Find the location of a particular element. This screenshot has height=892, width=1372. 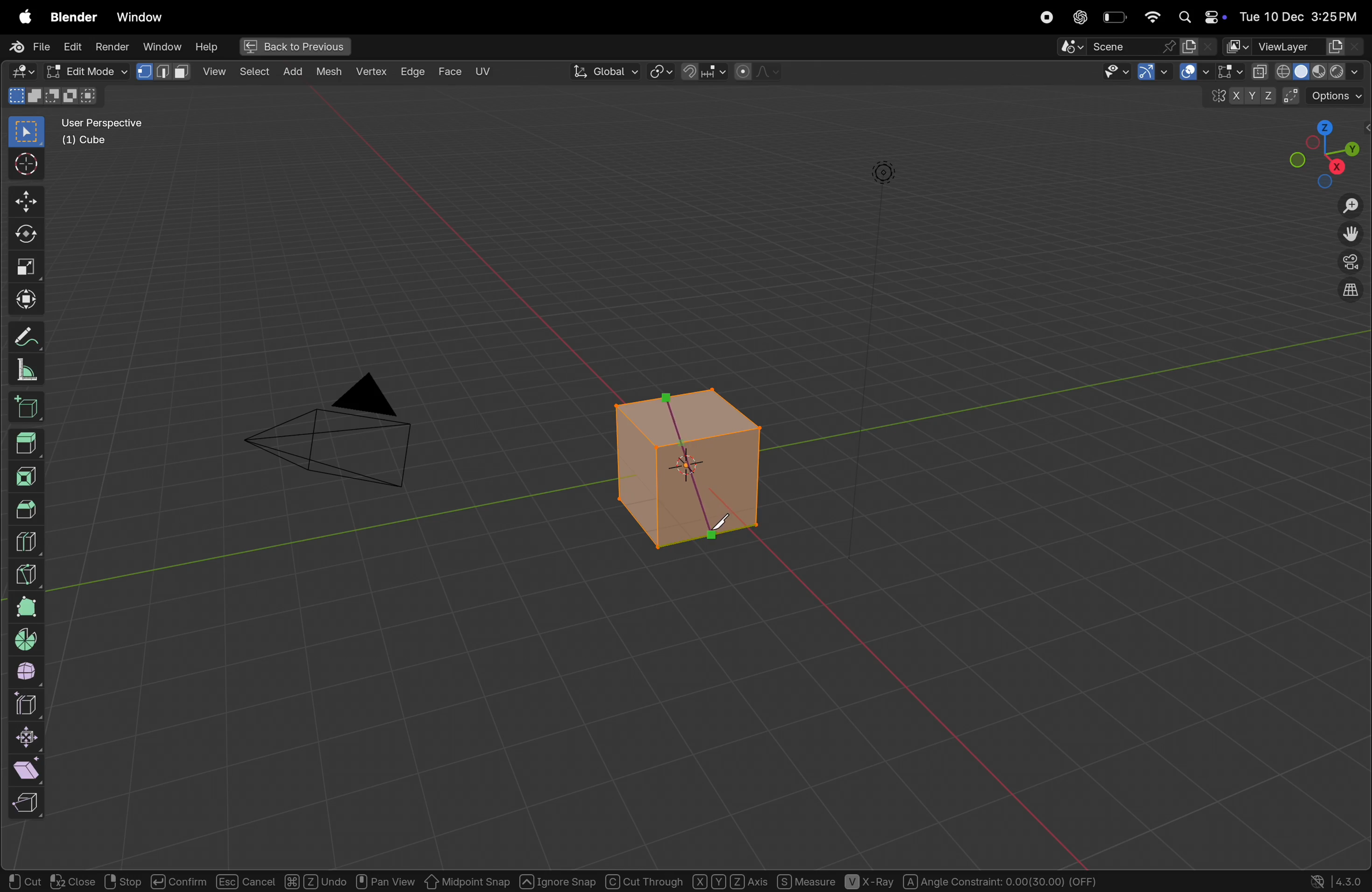

show overlays is located at coordinates (1225, 71).